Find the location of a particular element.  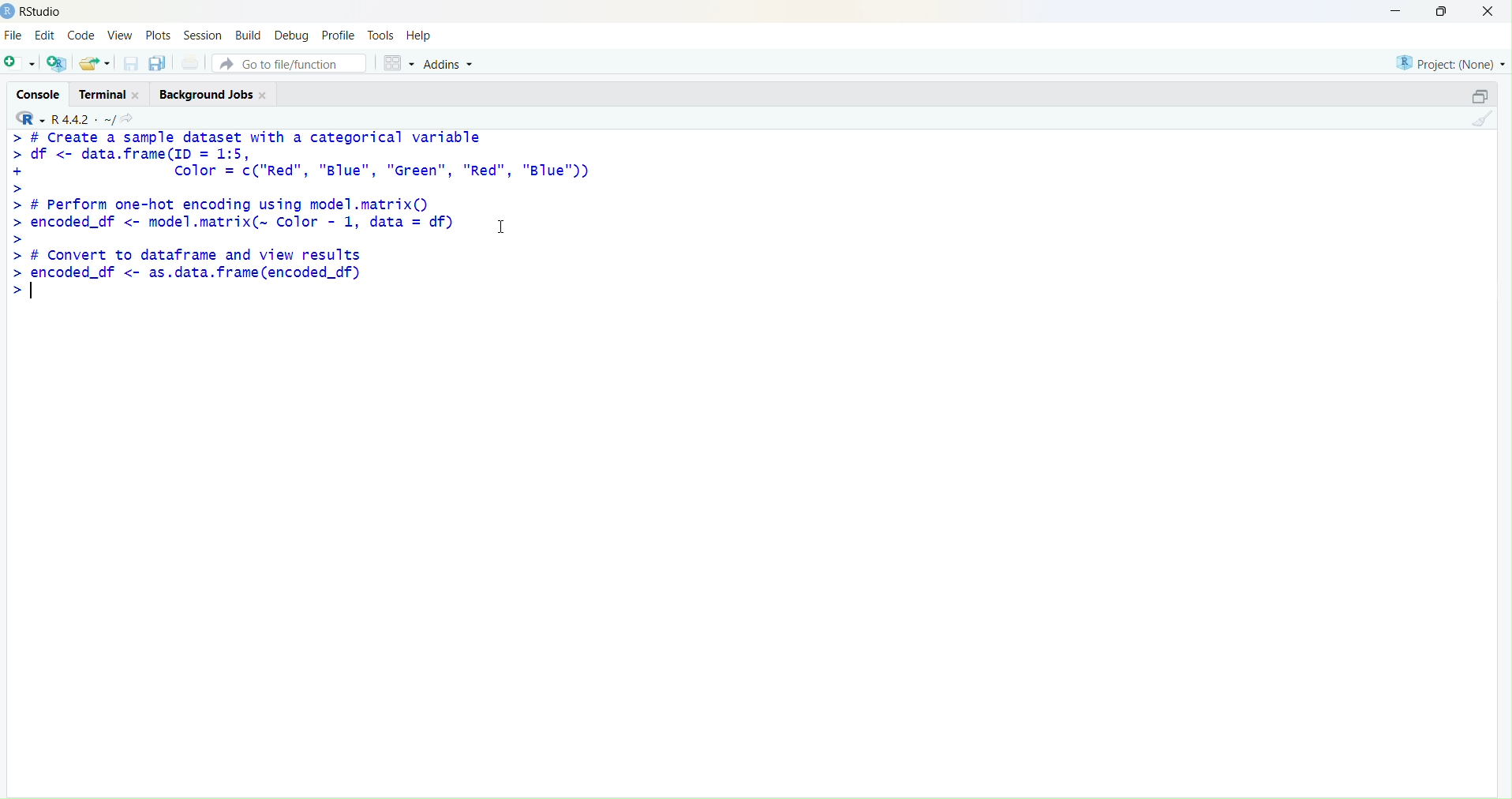

maximise is located at coordinates (1443, 11).